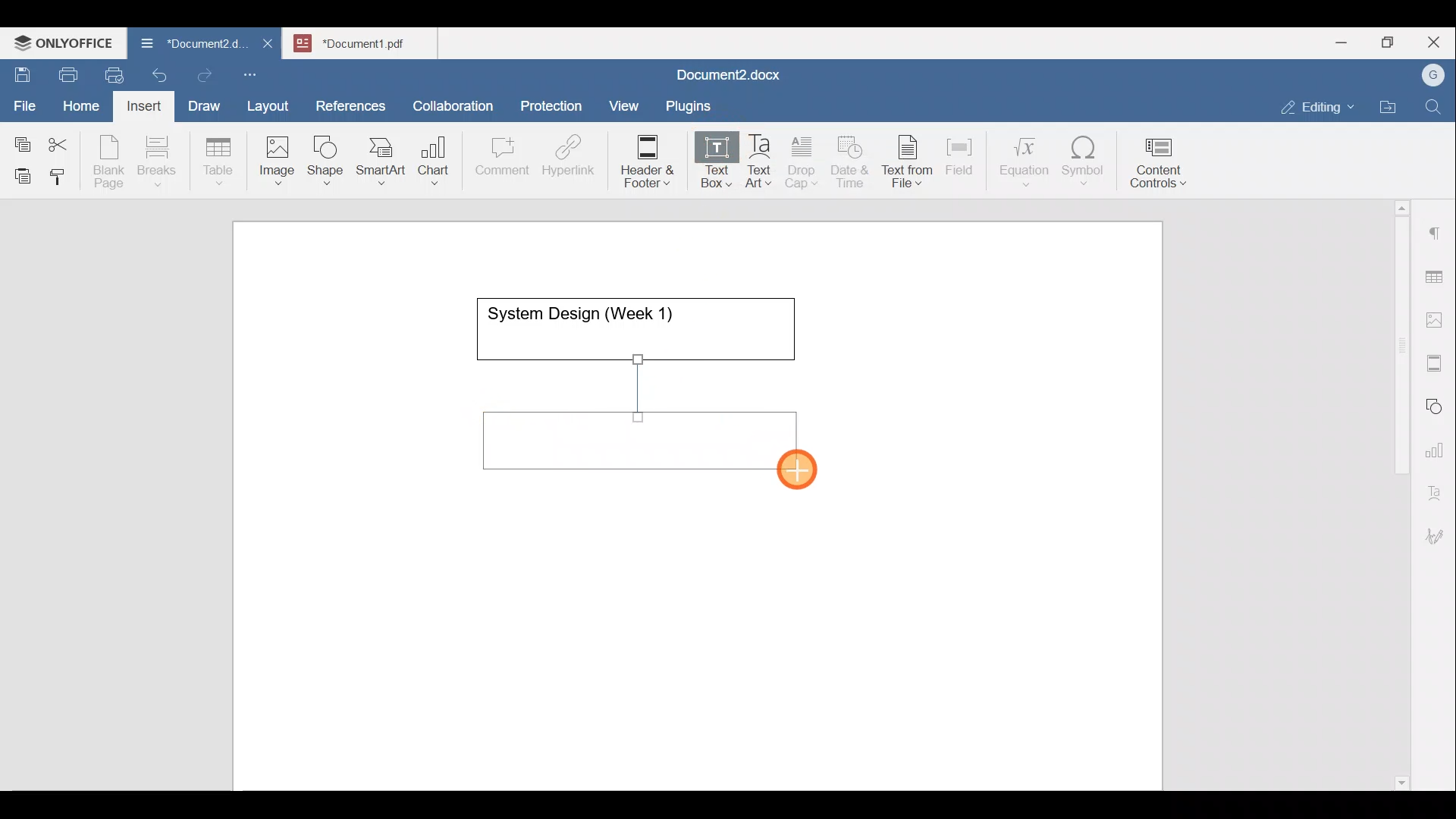 This screenshot has height=819, width=1456. I want to click on Close, so click(1436, 43).